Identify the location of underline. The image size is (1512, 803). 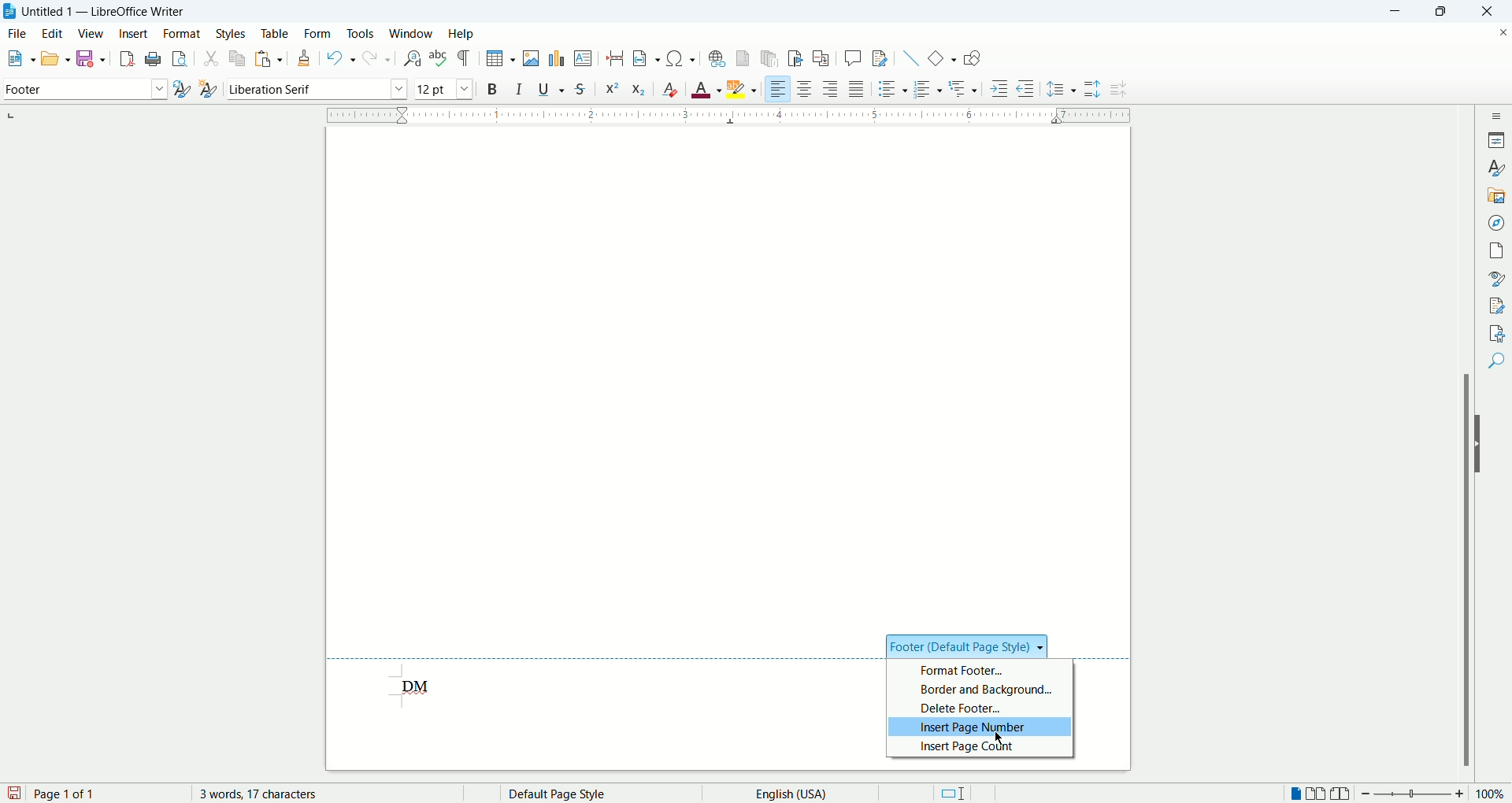
(554, 89).